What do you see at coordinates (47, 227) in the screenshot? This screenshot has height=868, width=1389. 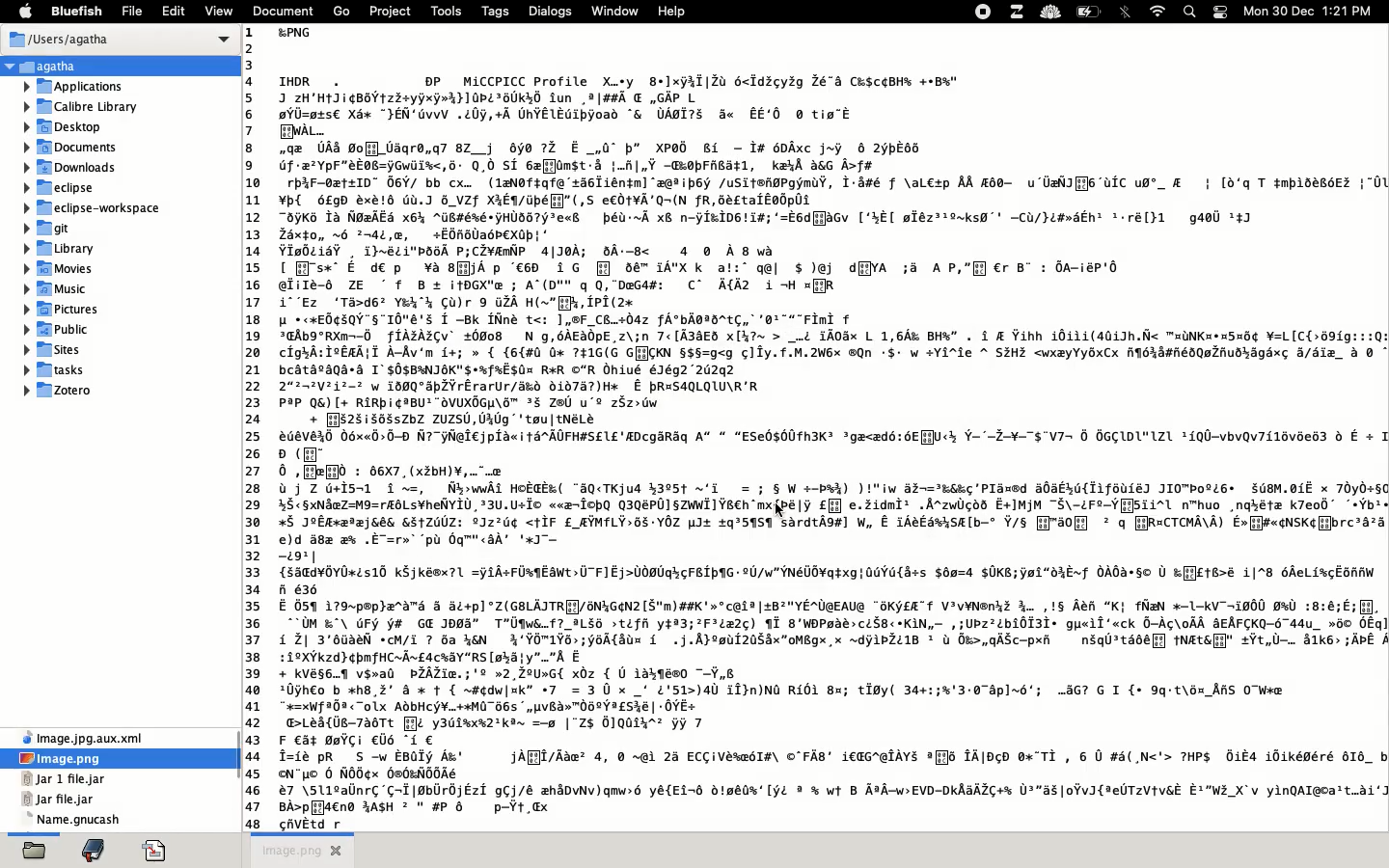 I see `git` at bounding box center [47, 227].